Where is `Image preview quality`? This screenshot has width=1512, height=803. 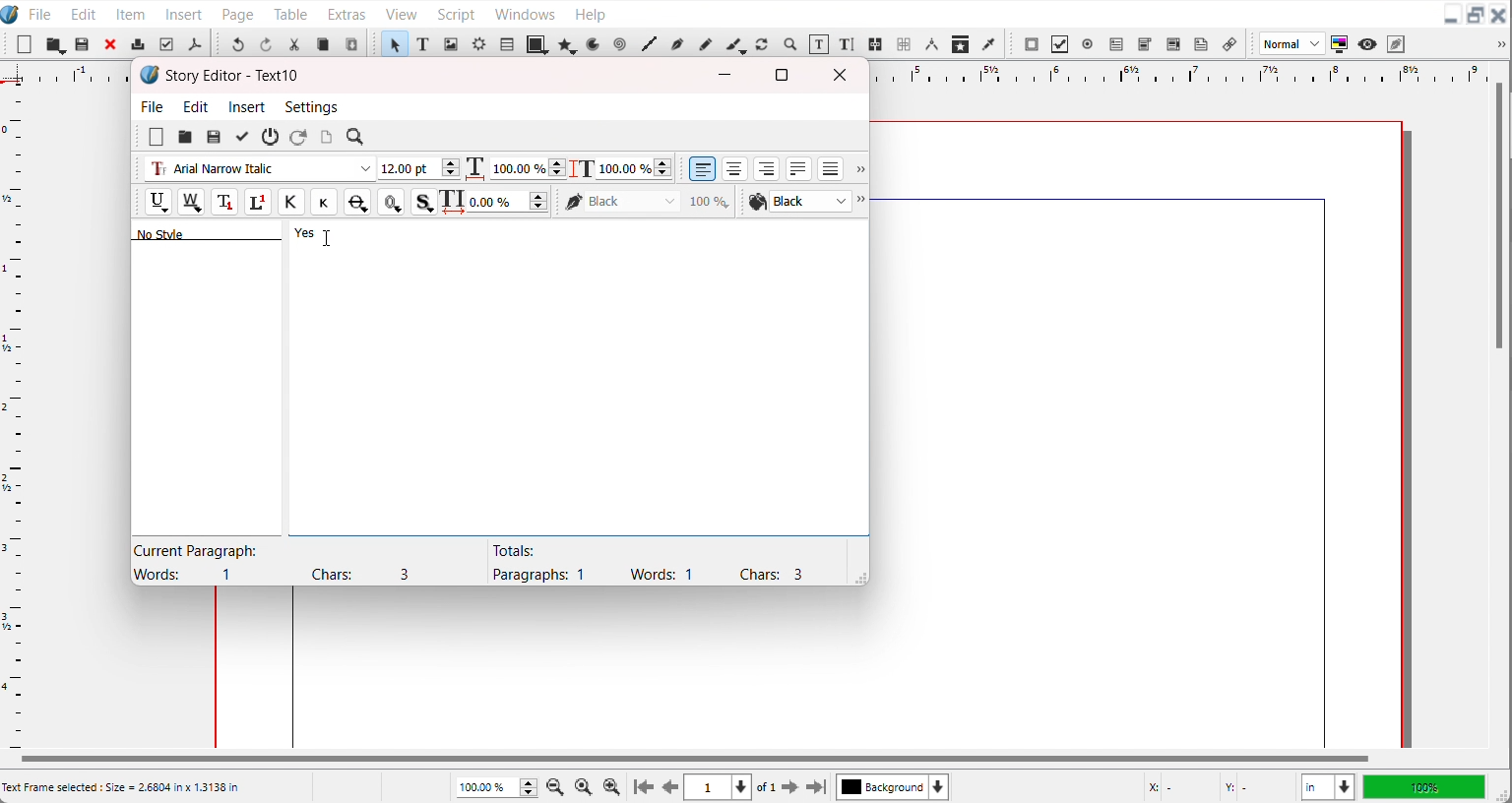
Image preview quality is located at coordinates (1292, 43).